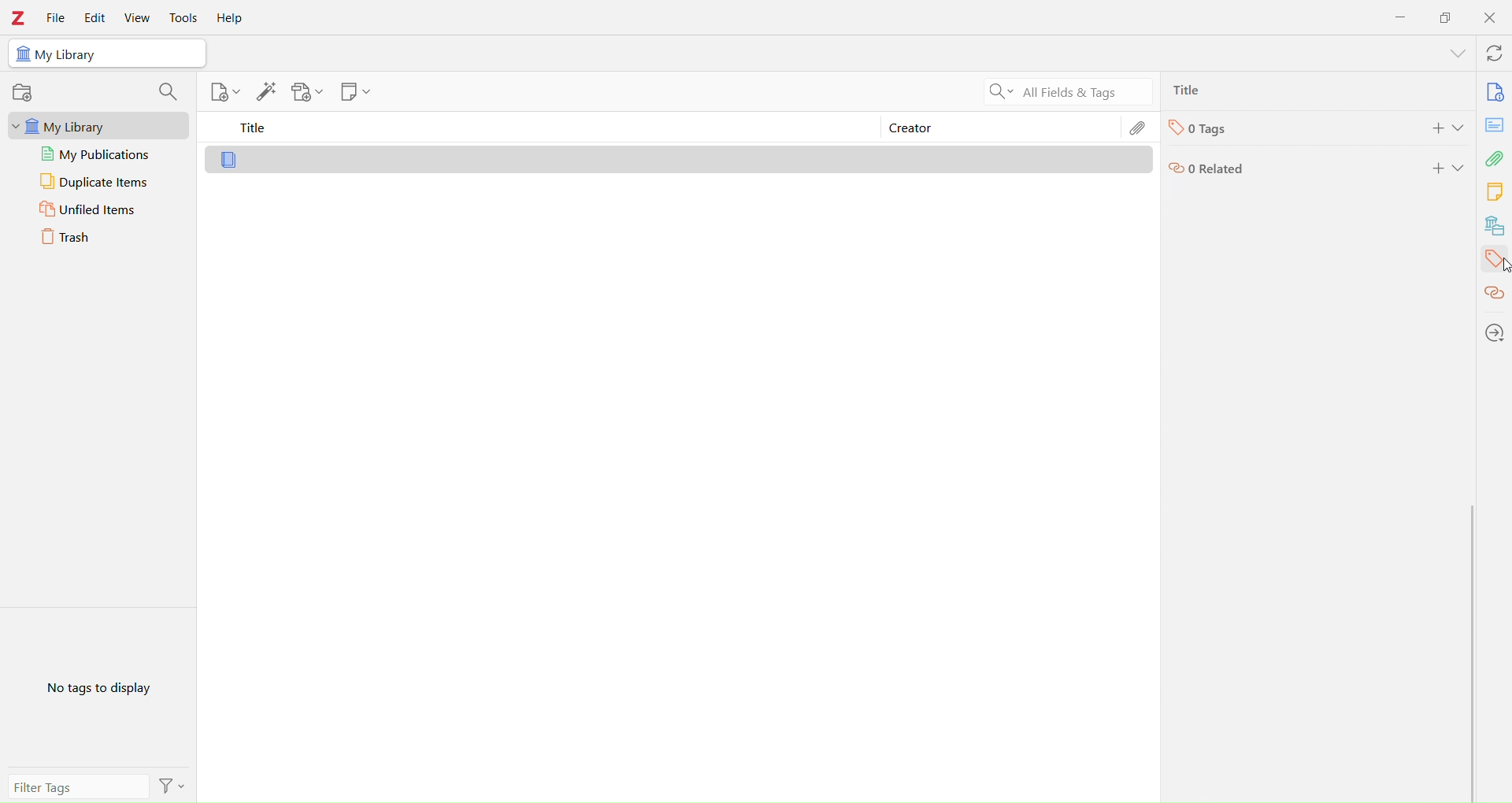  Describe the element at coordinates (1436, 169) in the screenshot. I see `add` at that location.